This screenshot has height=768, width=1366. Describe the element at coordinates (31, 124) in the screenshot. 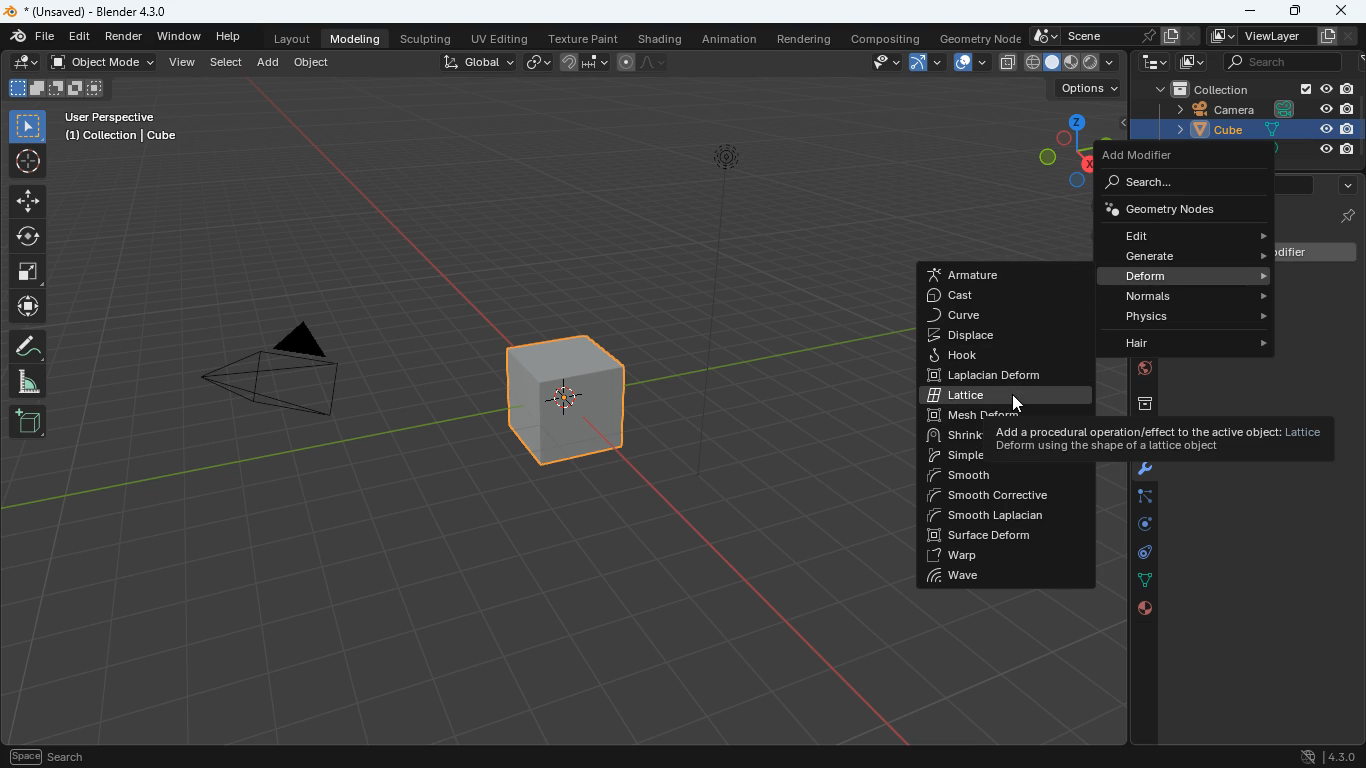

I see `select` at that location.